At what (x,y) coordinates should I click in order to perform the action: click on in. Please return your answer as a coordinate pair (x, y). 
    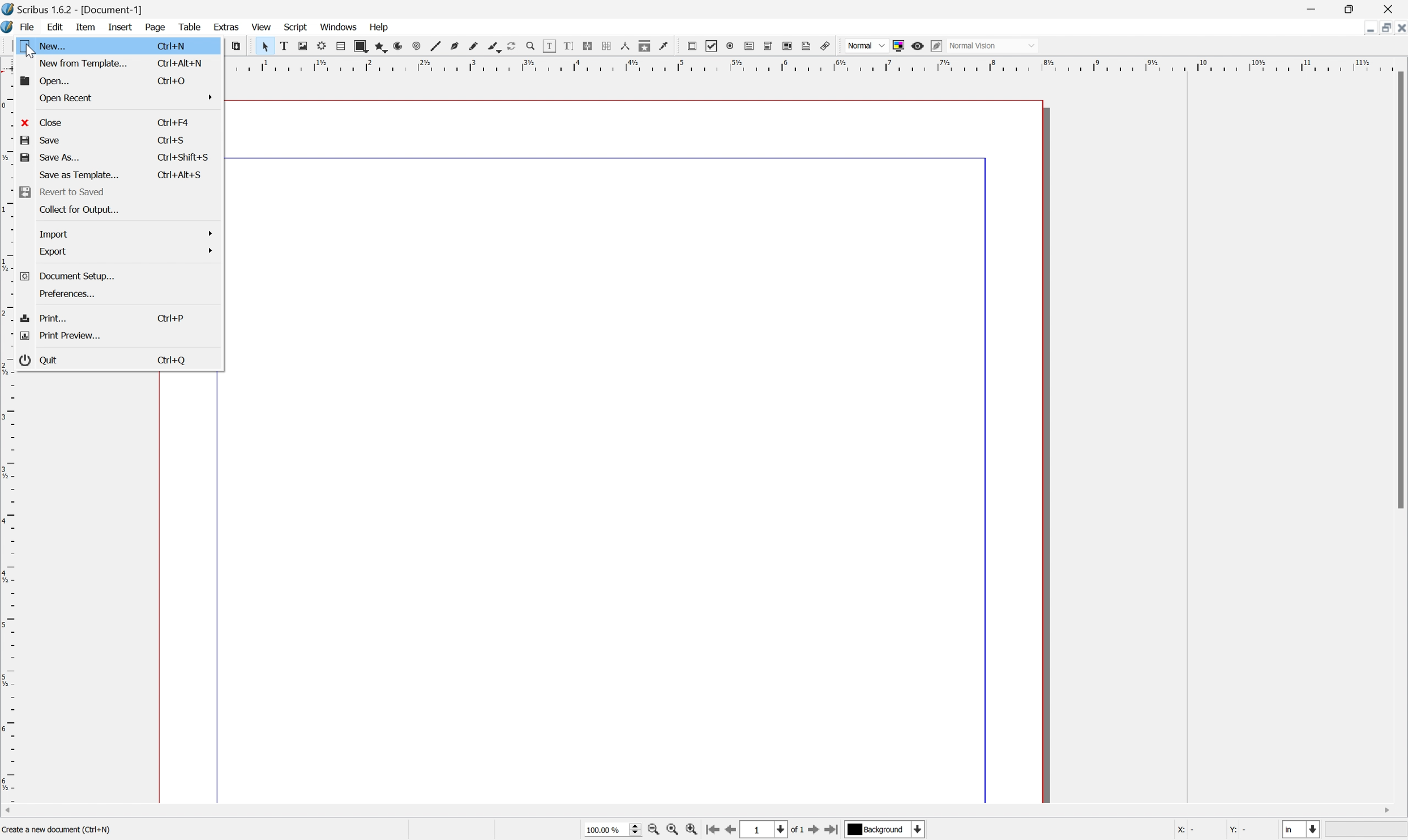
    Looking at the image, I should click on (1303, 831).